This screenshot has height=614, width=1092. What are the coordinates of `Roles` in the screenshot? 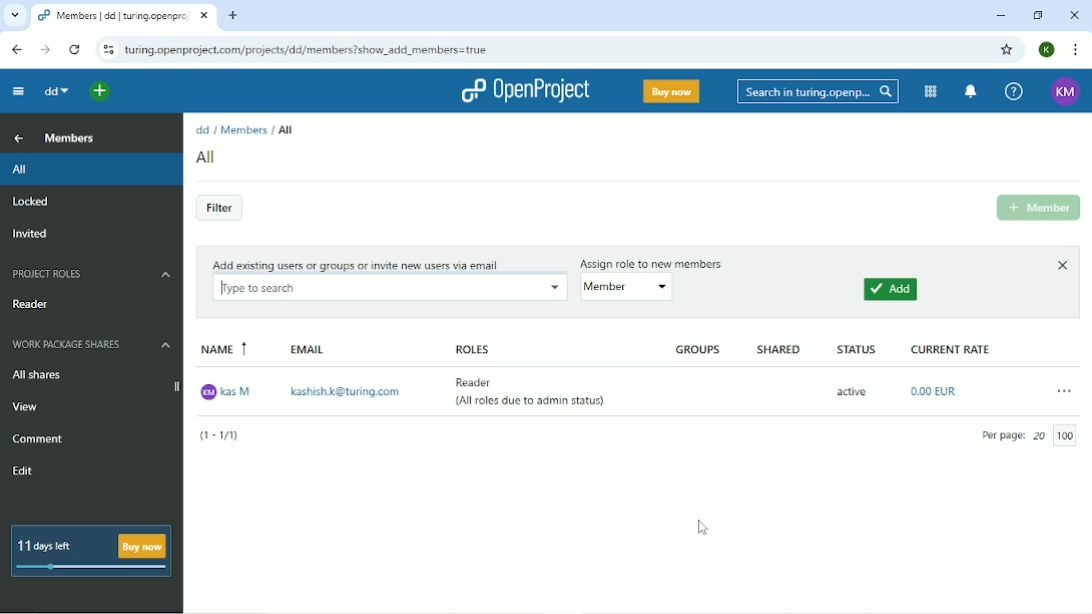 It's located at (469, 347).